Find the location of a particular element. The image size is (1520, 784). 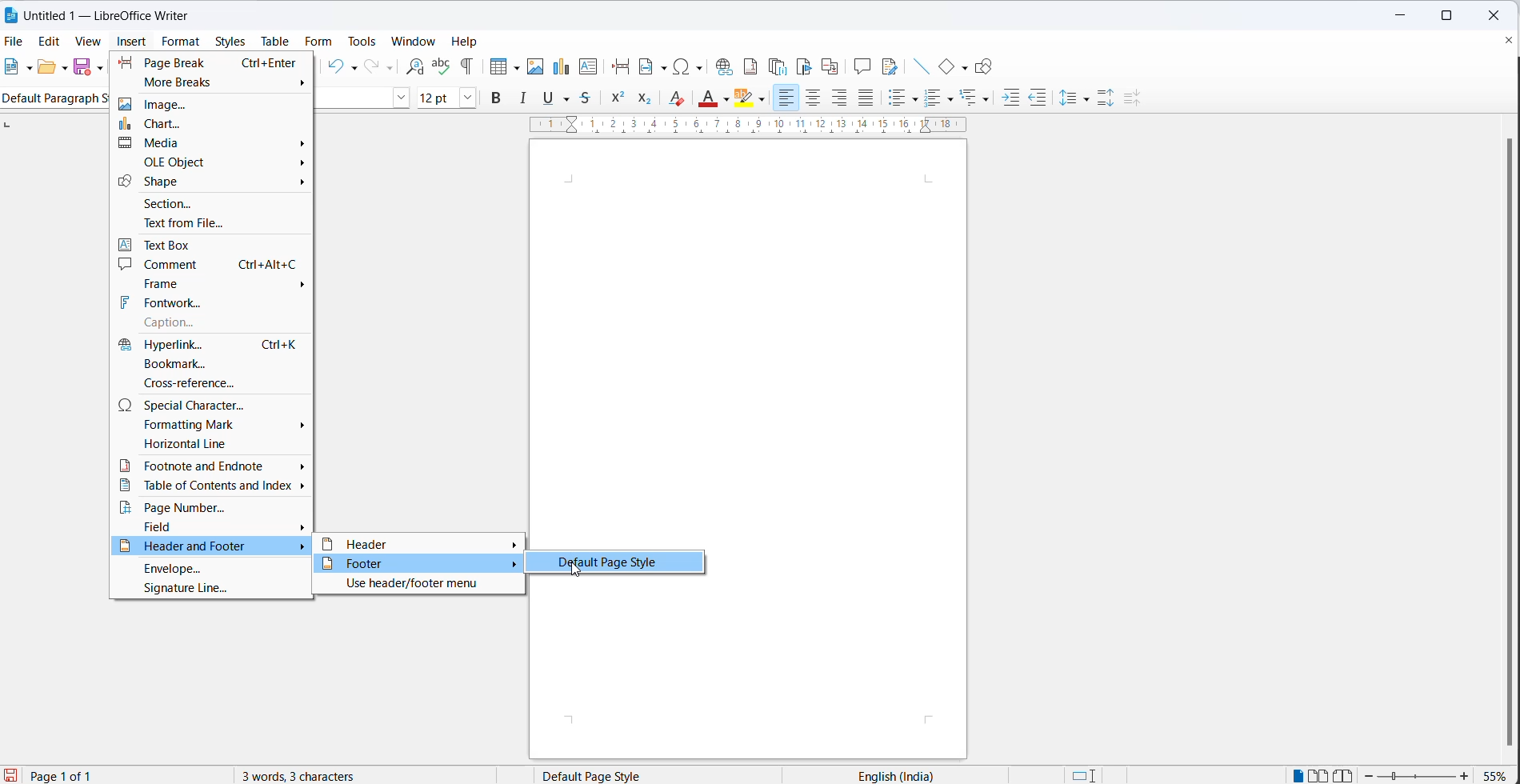

footnote and endnote is located at coordinates (214, 466).